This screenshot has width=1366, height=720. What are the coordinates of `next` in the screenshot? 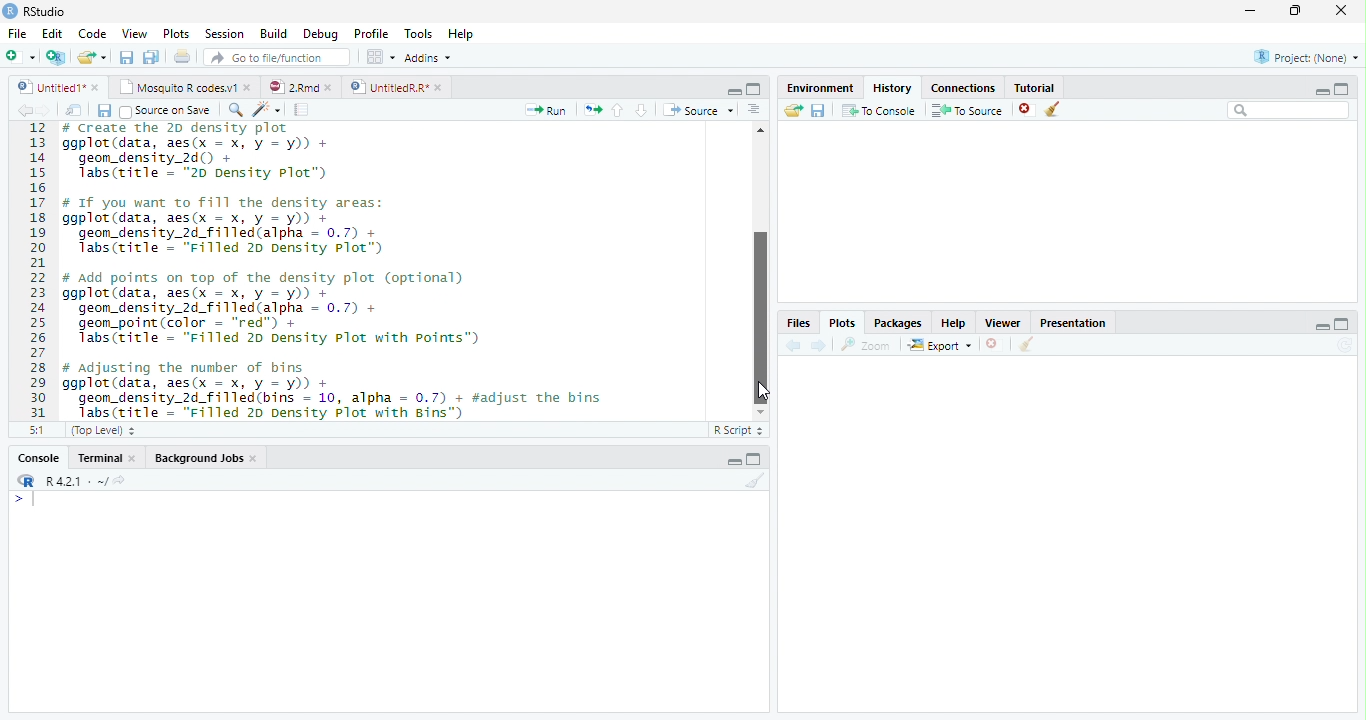 It's located at (52, 112).